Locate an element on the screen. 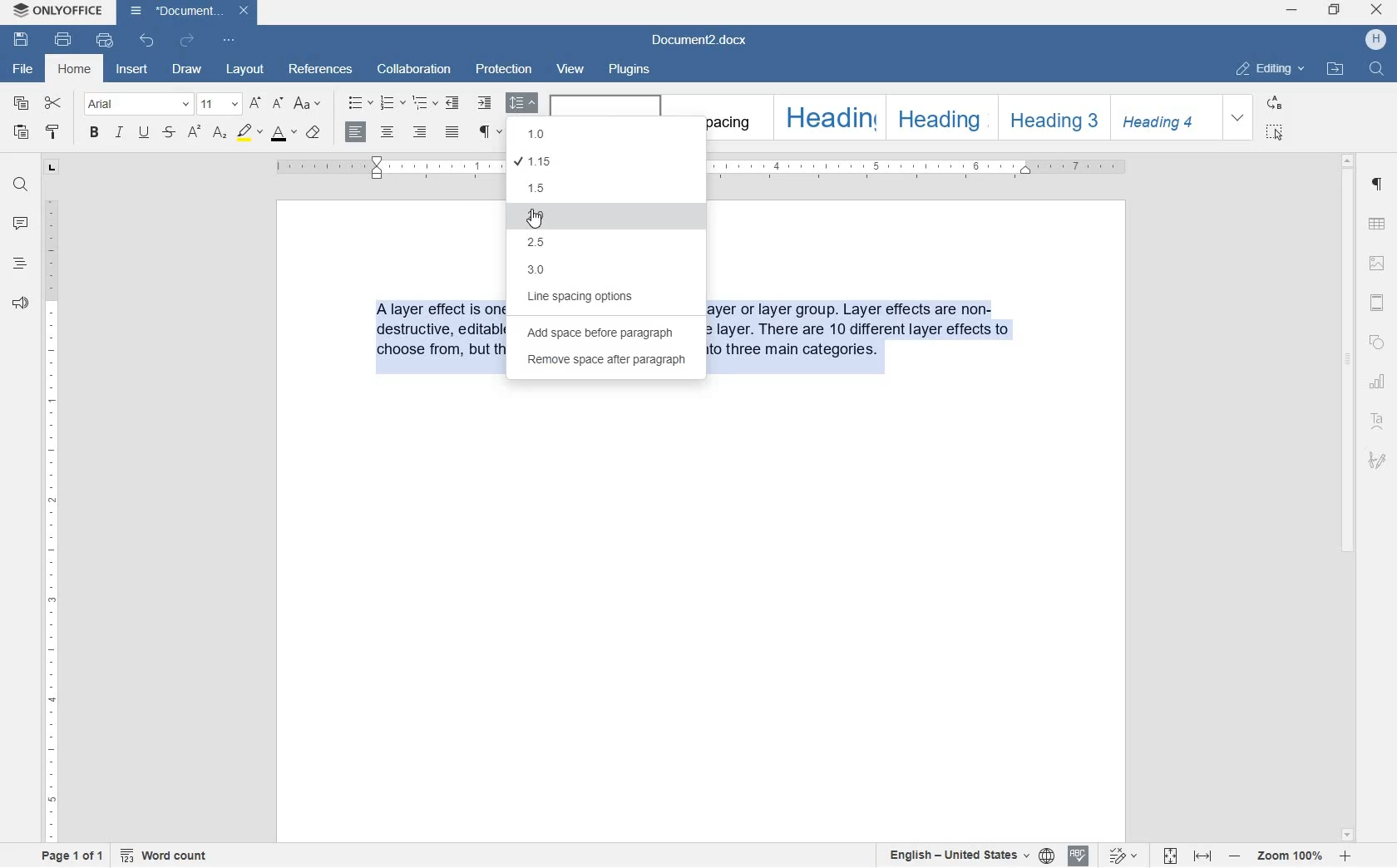  comment is located at coordinates (22, 223).